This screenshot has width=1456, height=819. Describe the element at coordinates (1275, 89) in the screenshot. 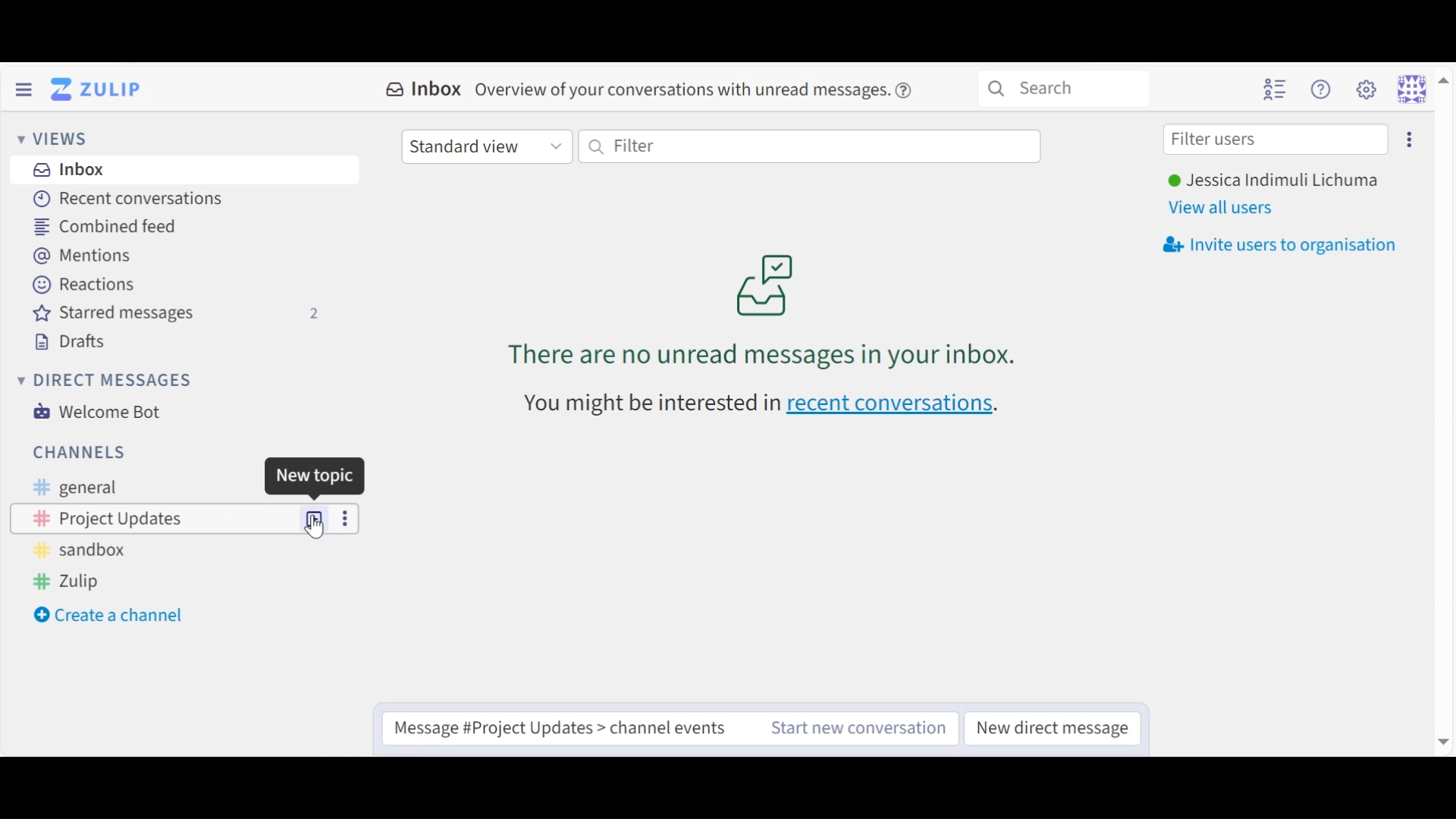

I see `Hide user list` at that location.